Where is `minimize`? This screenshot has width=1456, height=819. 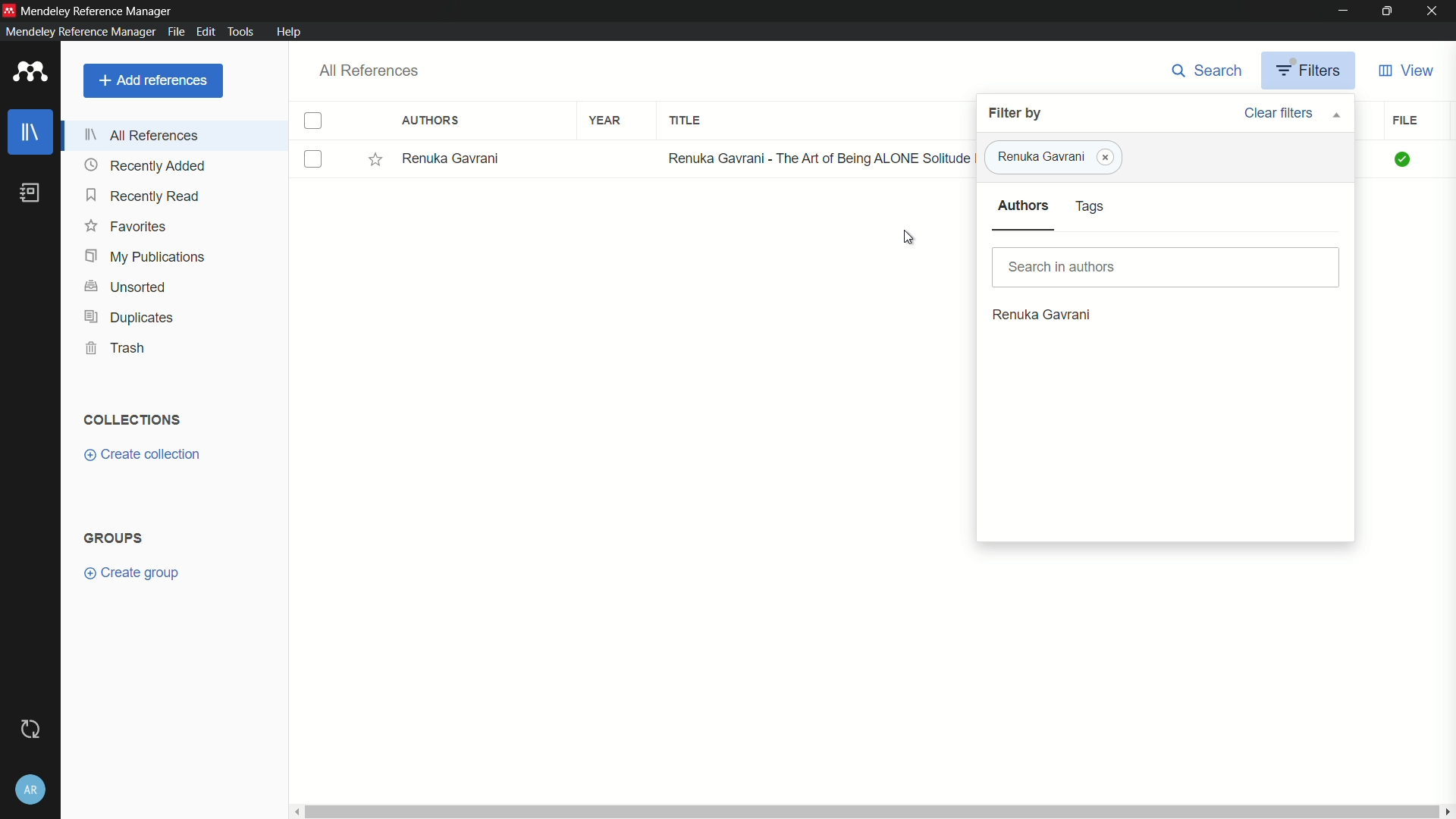 minimize is located at coordinates (1338, 10).